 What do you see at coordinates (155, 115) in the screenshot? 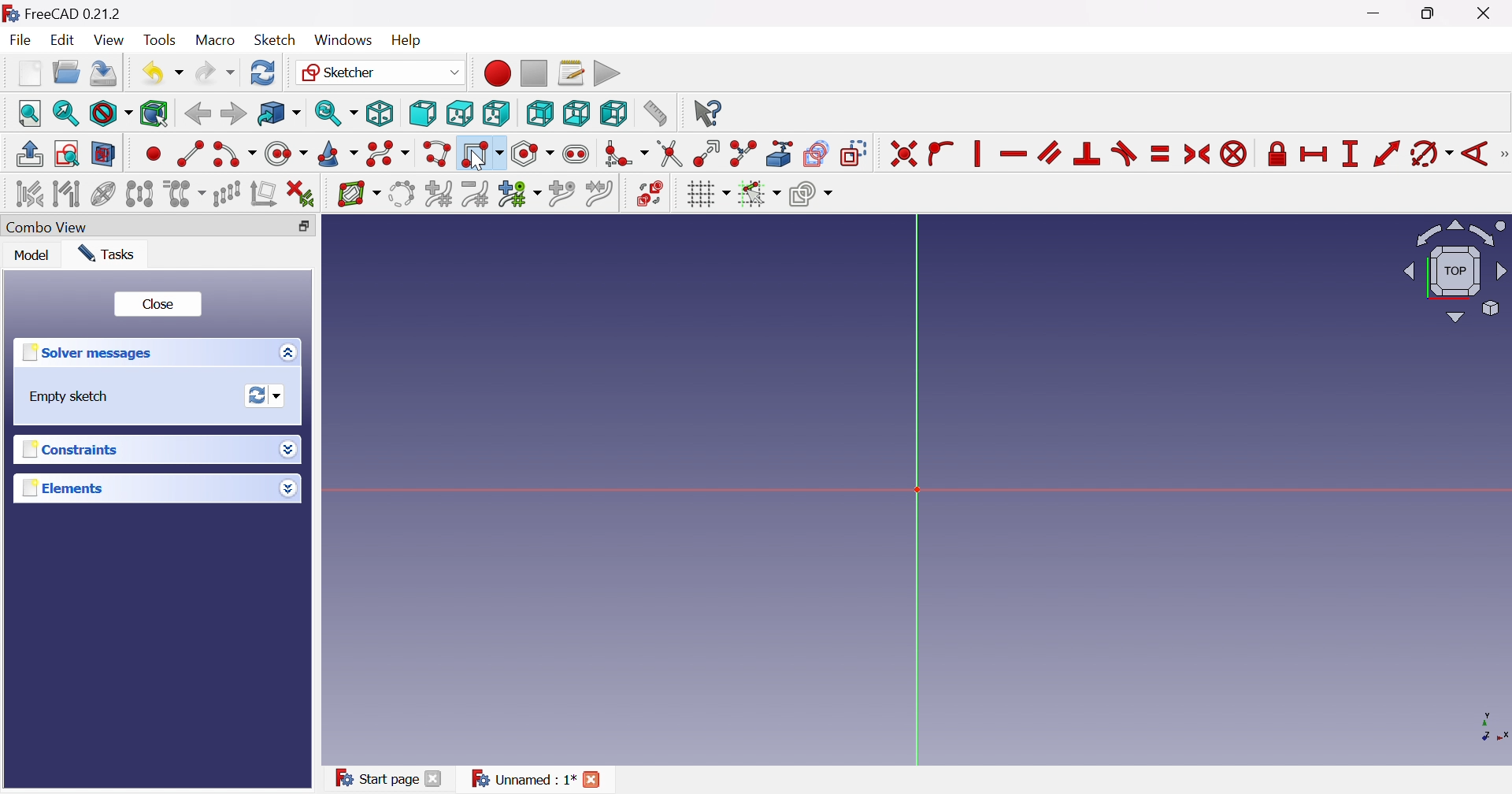
I see `Bounding box` at bounding box center [155, 115].